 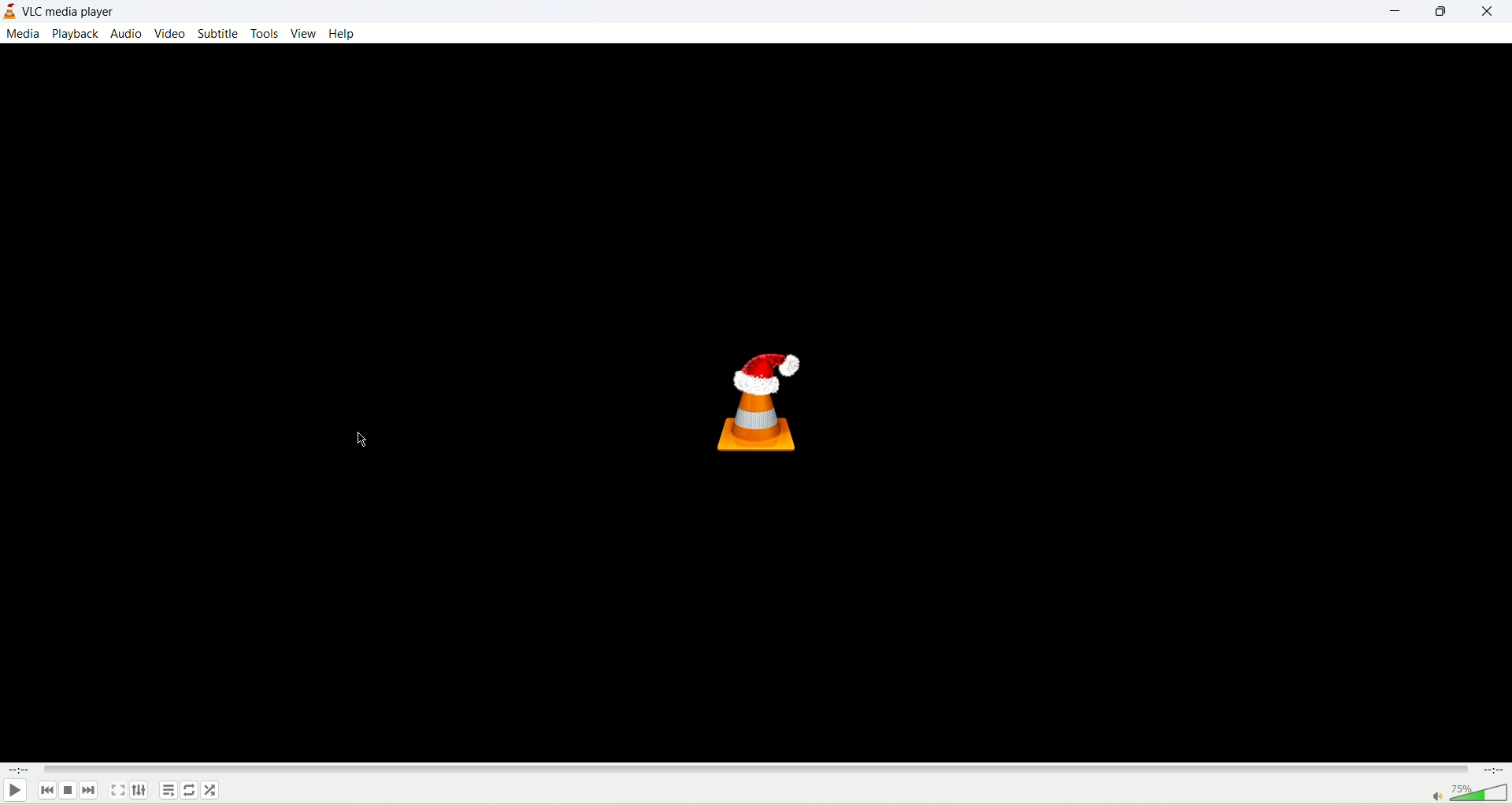 What do you see at coordinates (70, 788) in the screenshot?
I see `stop` at bounding box center [70, 788].